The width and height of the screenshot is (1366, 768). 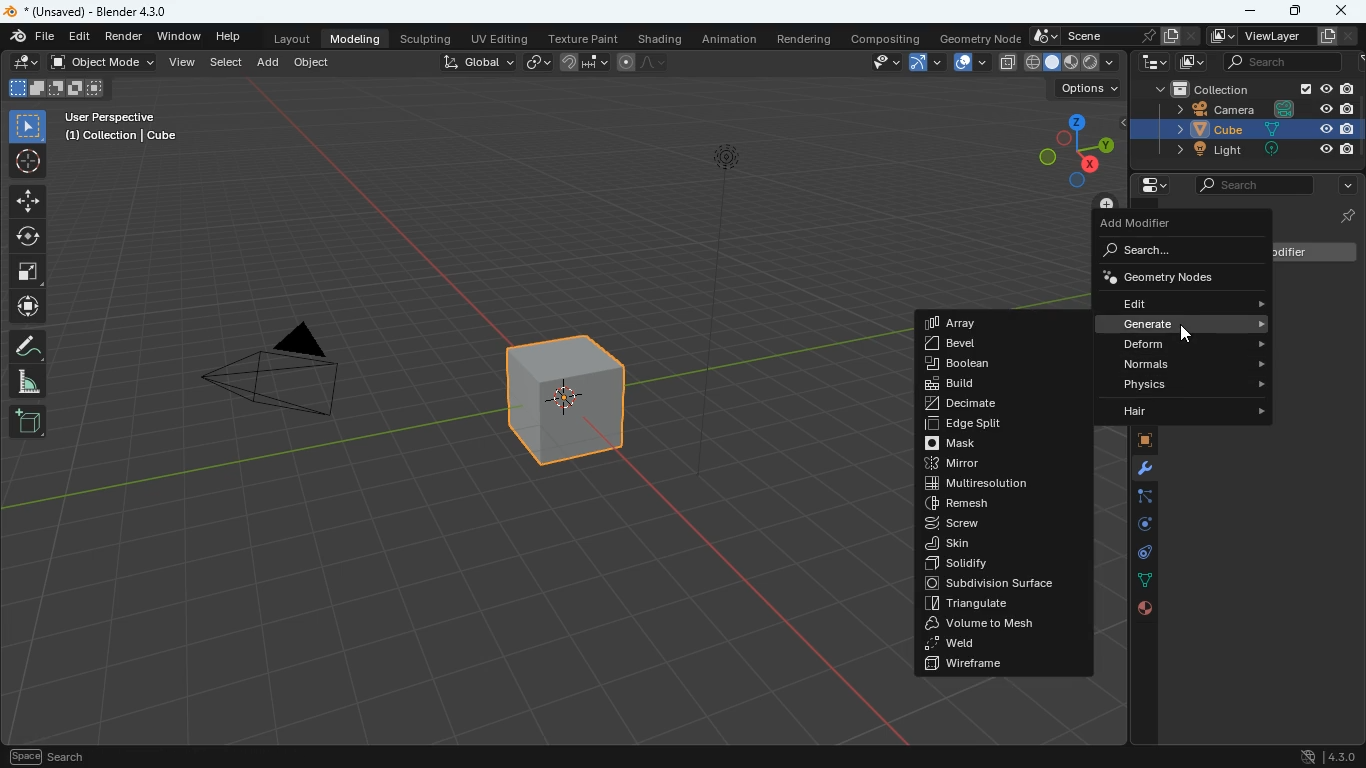 I want to click on public, so click(x=1145, y=609).